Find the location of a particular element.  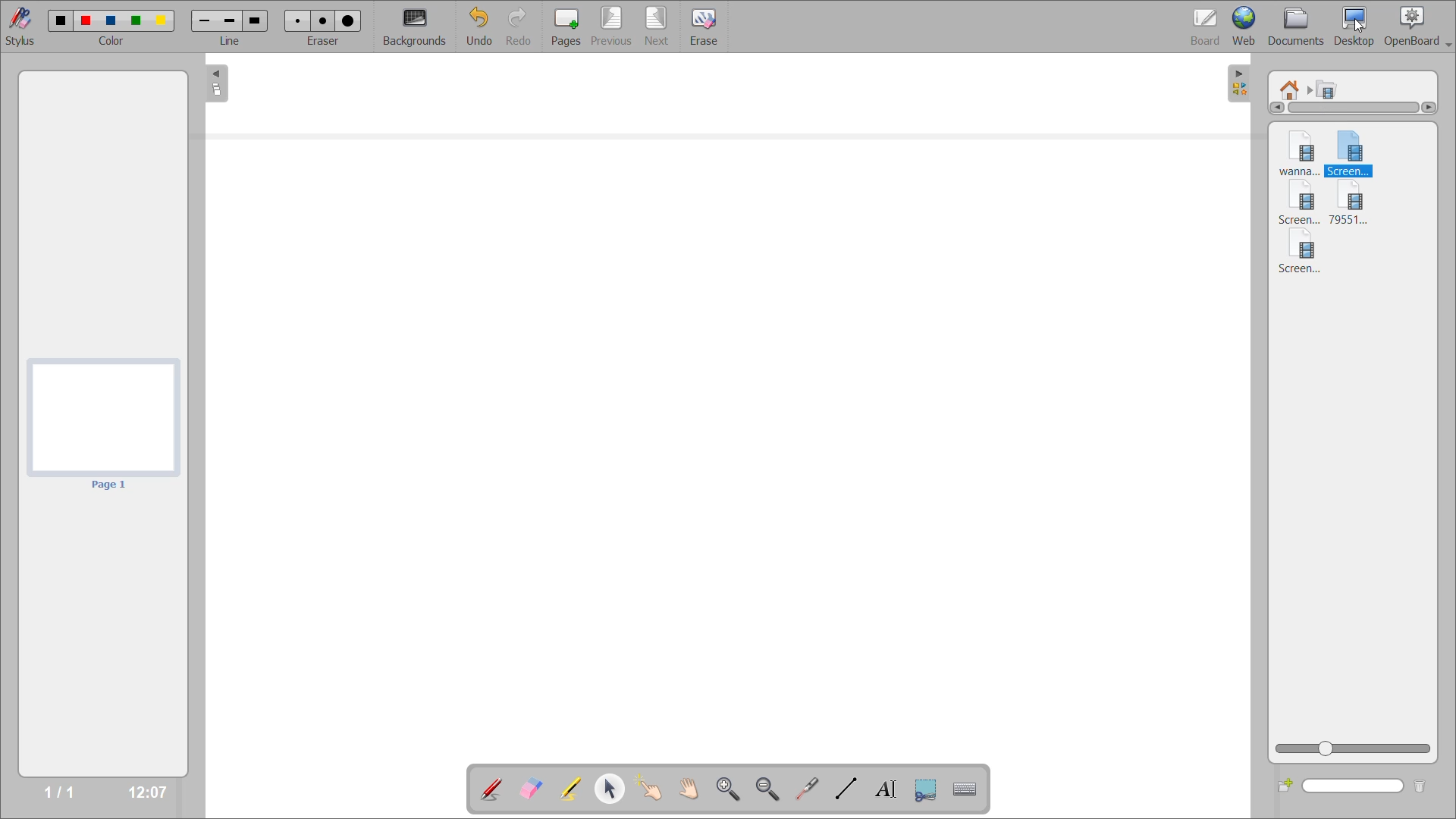

color 1 is located at coordinates (60, 20).